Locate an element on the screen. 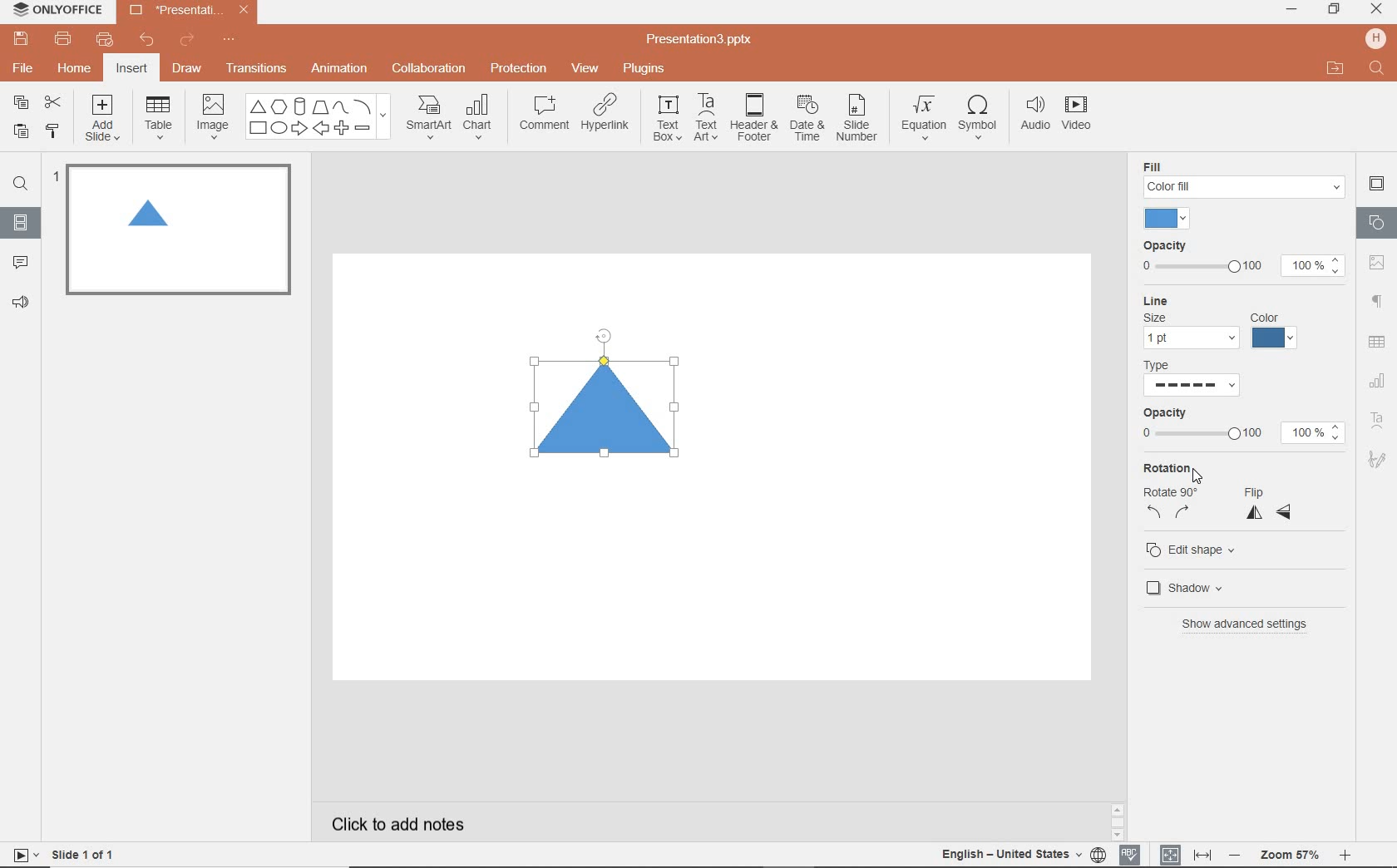  PARAGRAPH SETTINGS is located at coordinates (1378, 302).